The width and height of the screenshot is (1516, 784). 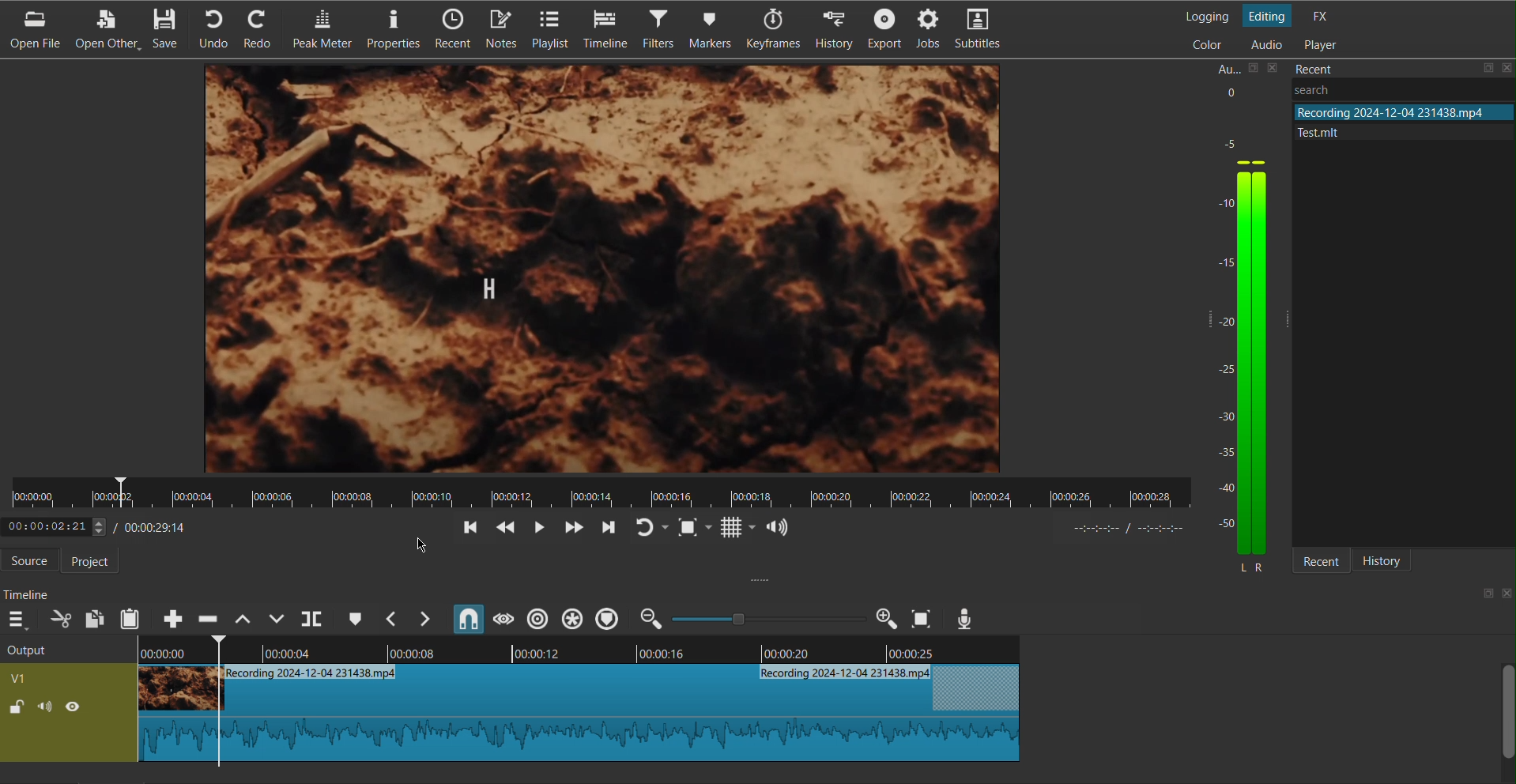 I want to click on Cut, so click(x=60, y=619).